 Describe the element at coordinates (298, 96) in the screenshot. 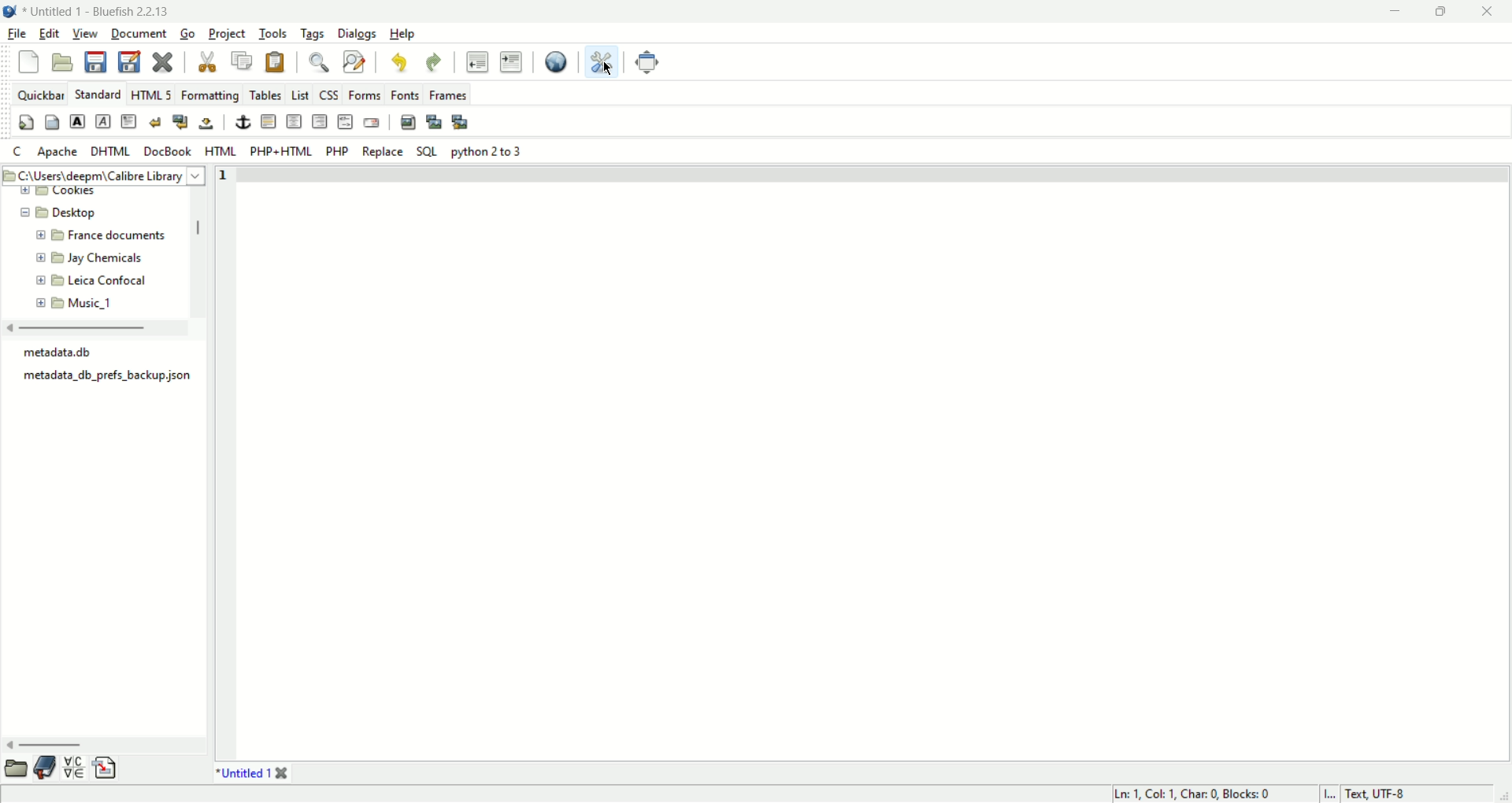

I see `List` at that location.